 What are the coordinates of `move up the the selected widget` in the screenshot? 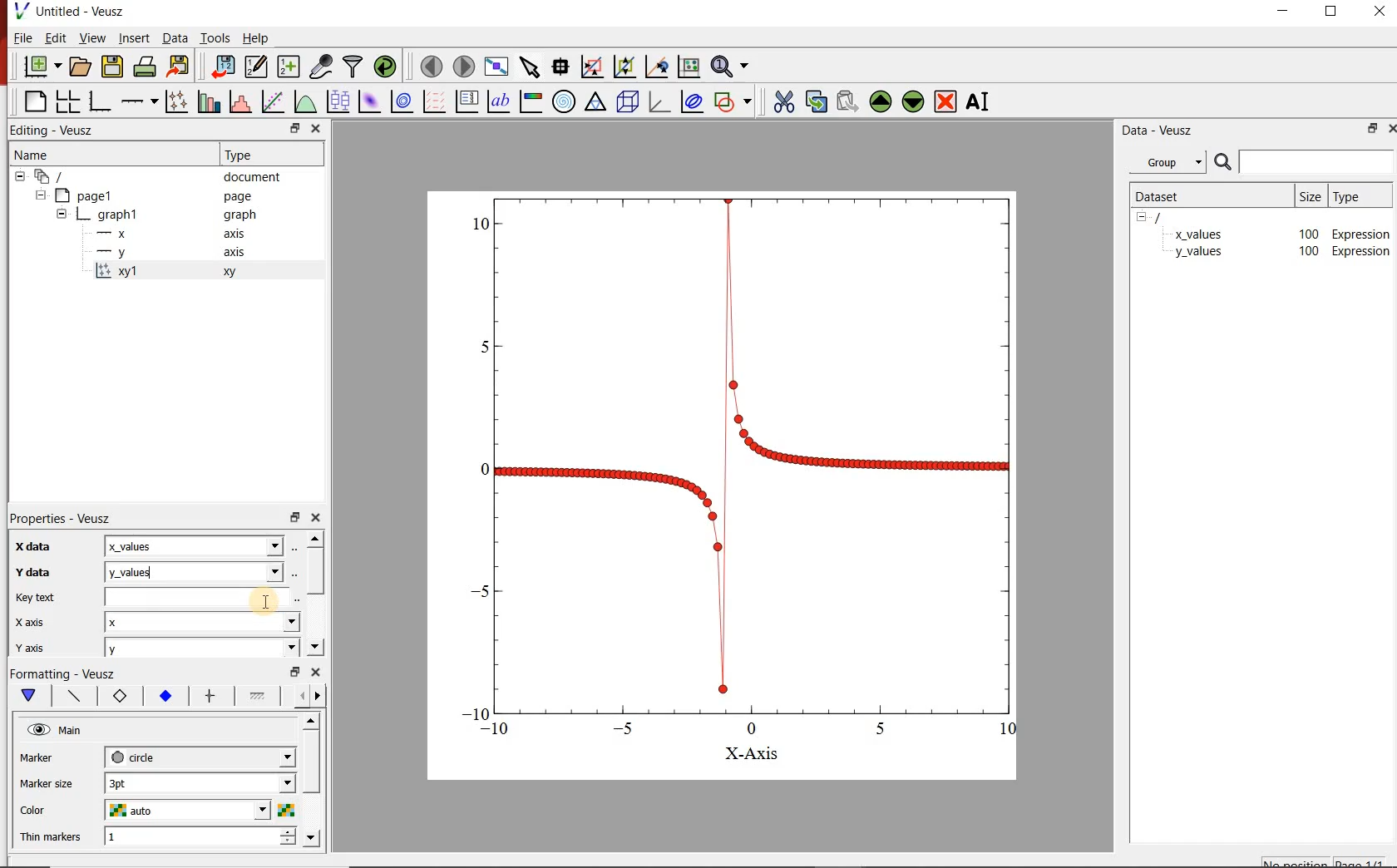 It's located at (878, 103).